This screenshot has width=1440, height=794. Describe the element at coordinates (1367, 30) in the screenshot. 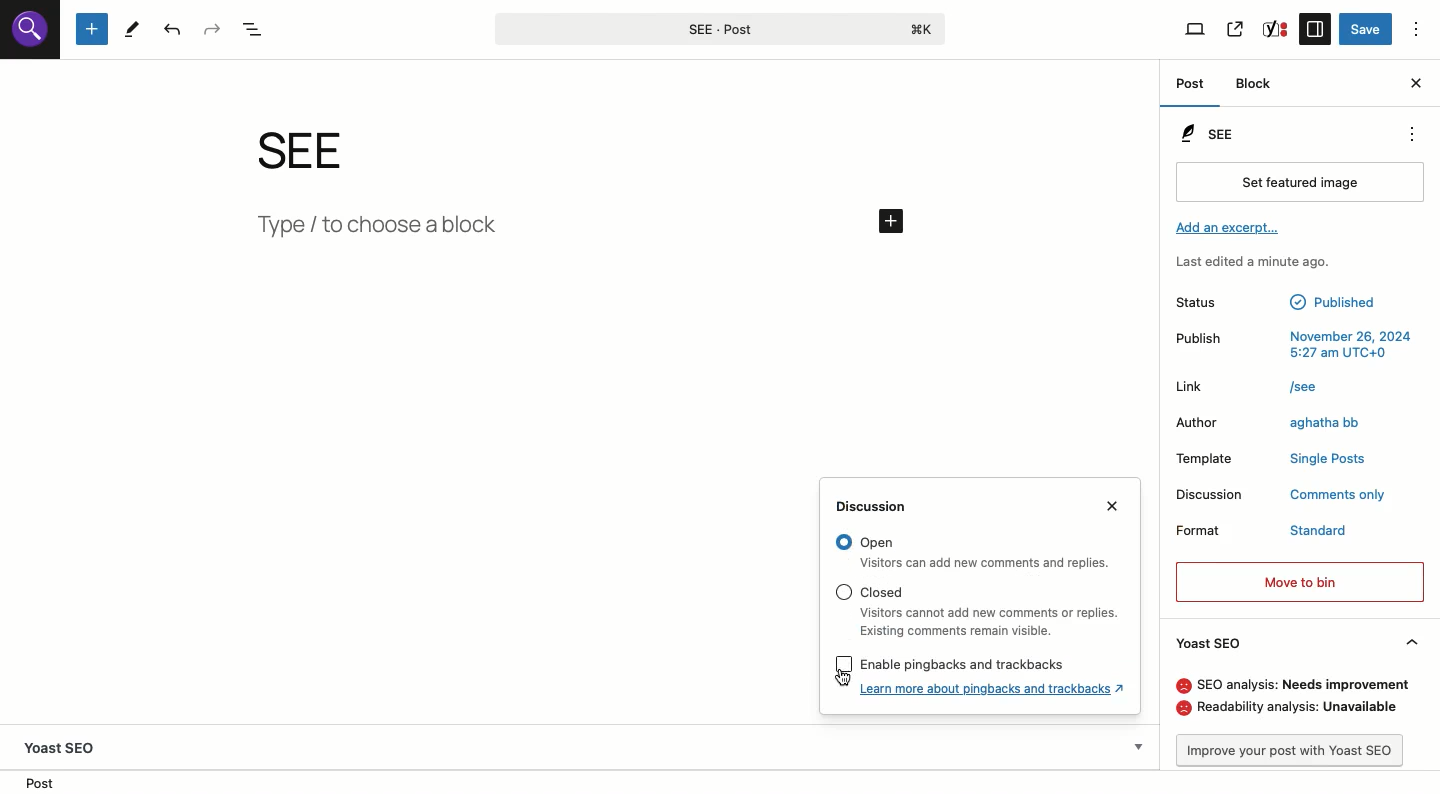

I see `Save` at that location.